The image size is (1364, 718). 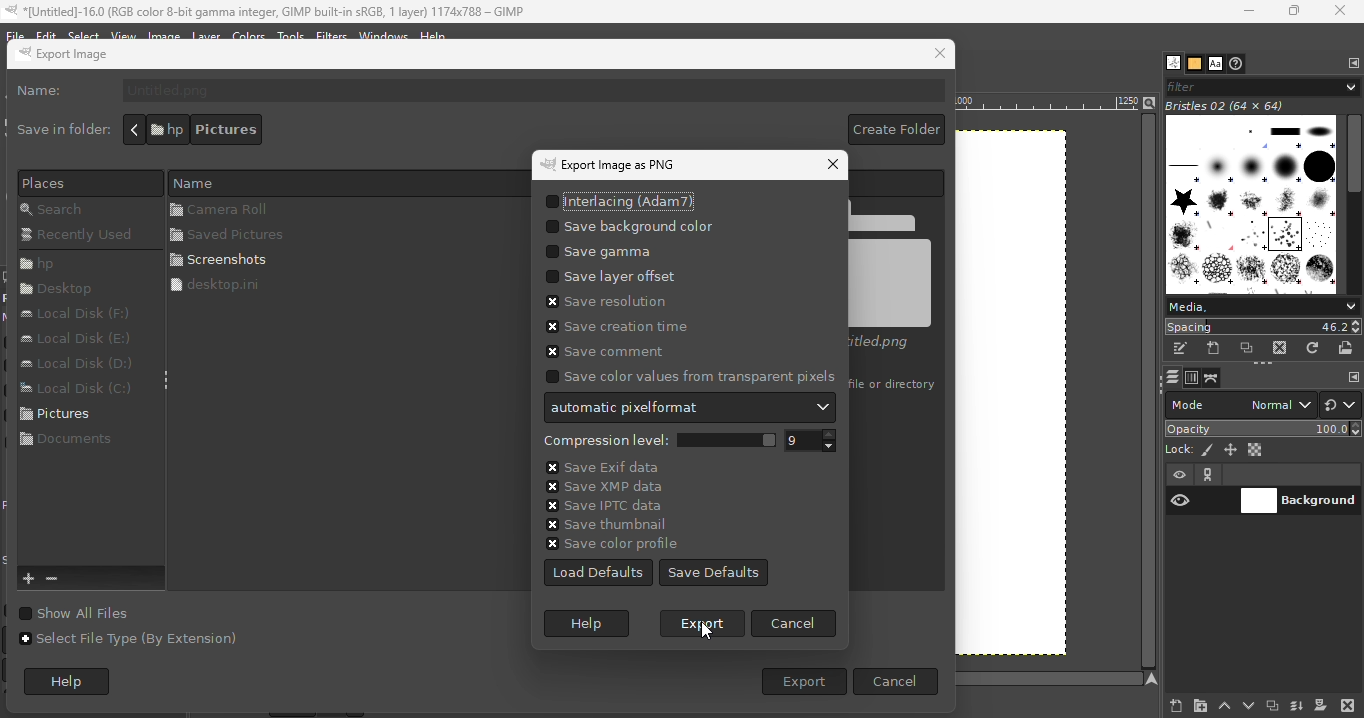 What do you see at coordinates (1248, 348) in the screenshot?
I see `Duplicate this brush` at bounding box center [1248, 348].